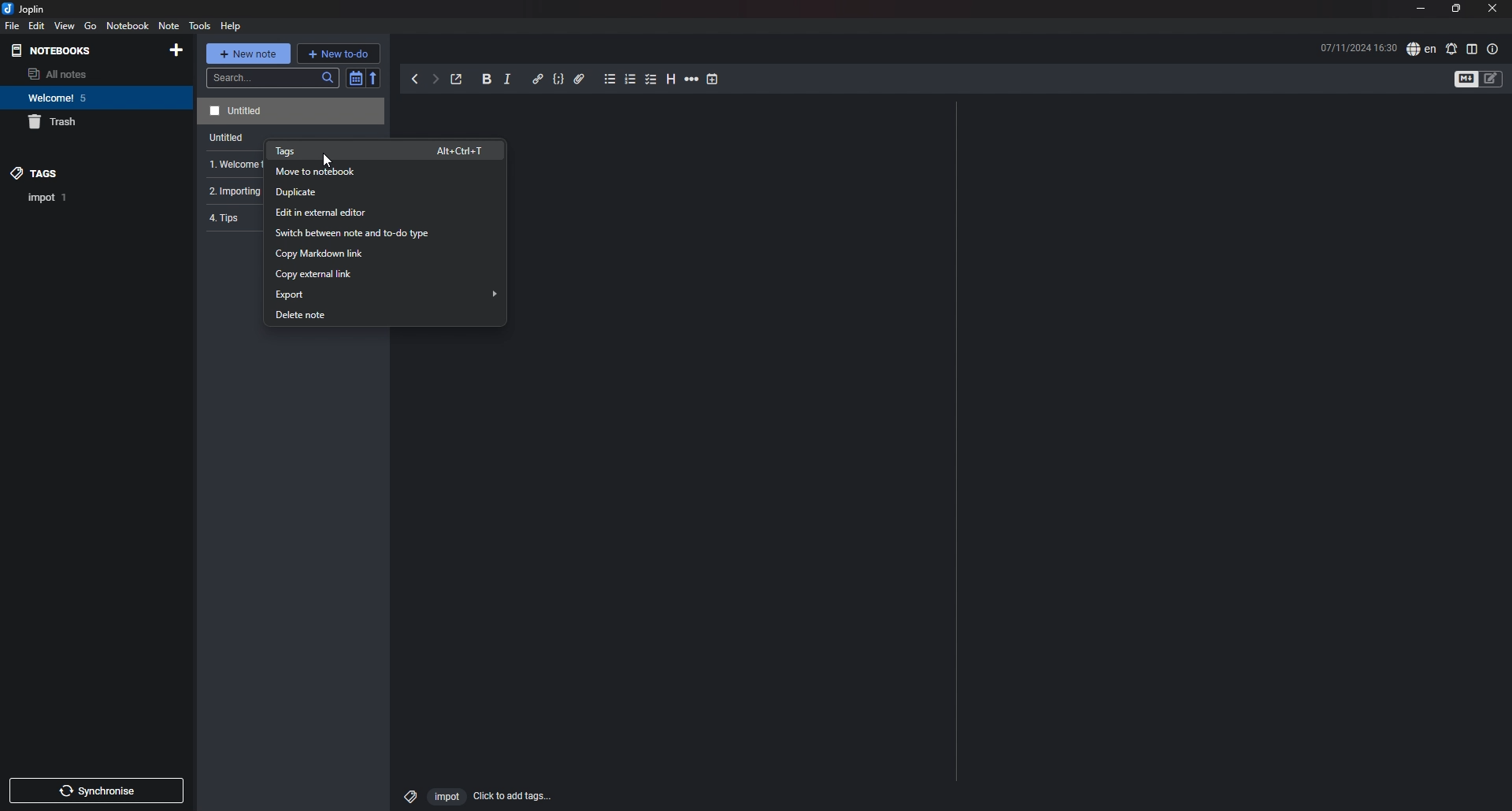 The width and height of the screenshot is (1512, 811). Describe the element at coordinates (631, 79) in the screenshot. I see `numbered list` at that location.